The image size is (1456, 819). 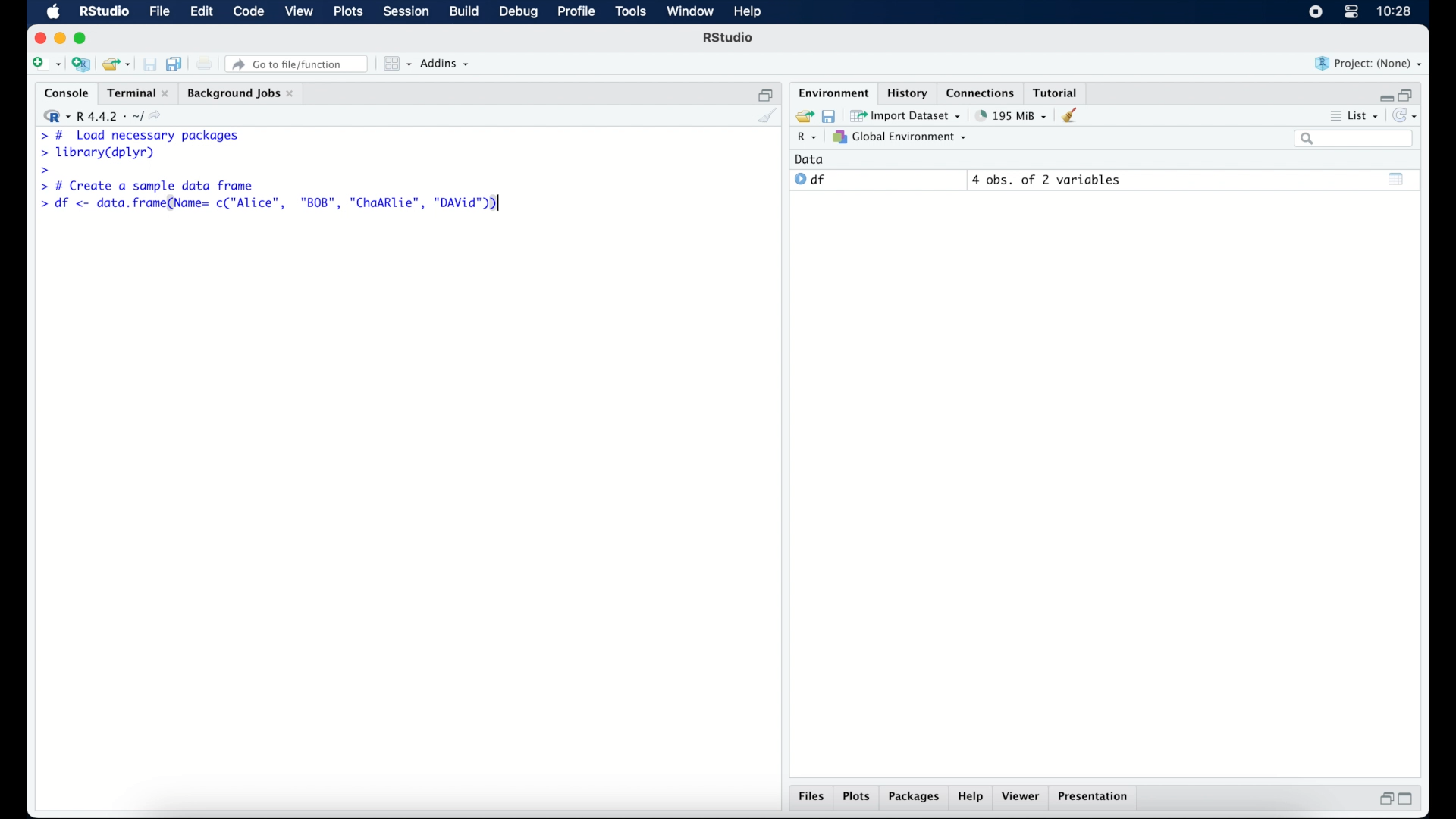 What do you see at coordinates (176, 63) in the screenshot?
I see `save all documents ` at bounding box center [176, 63].